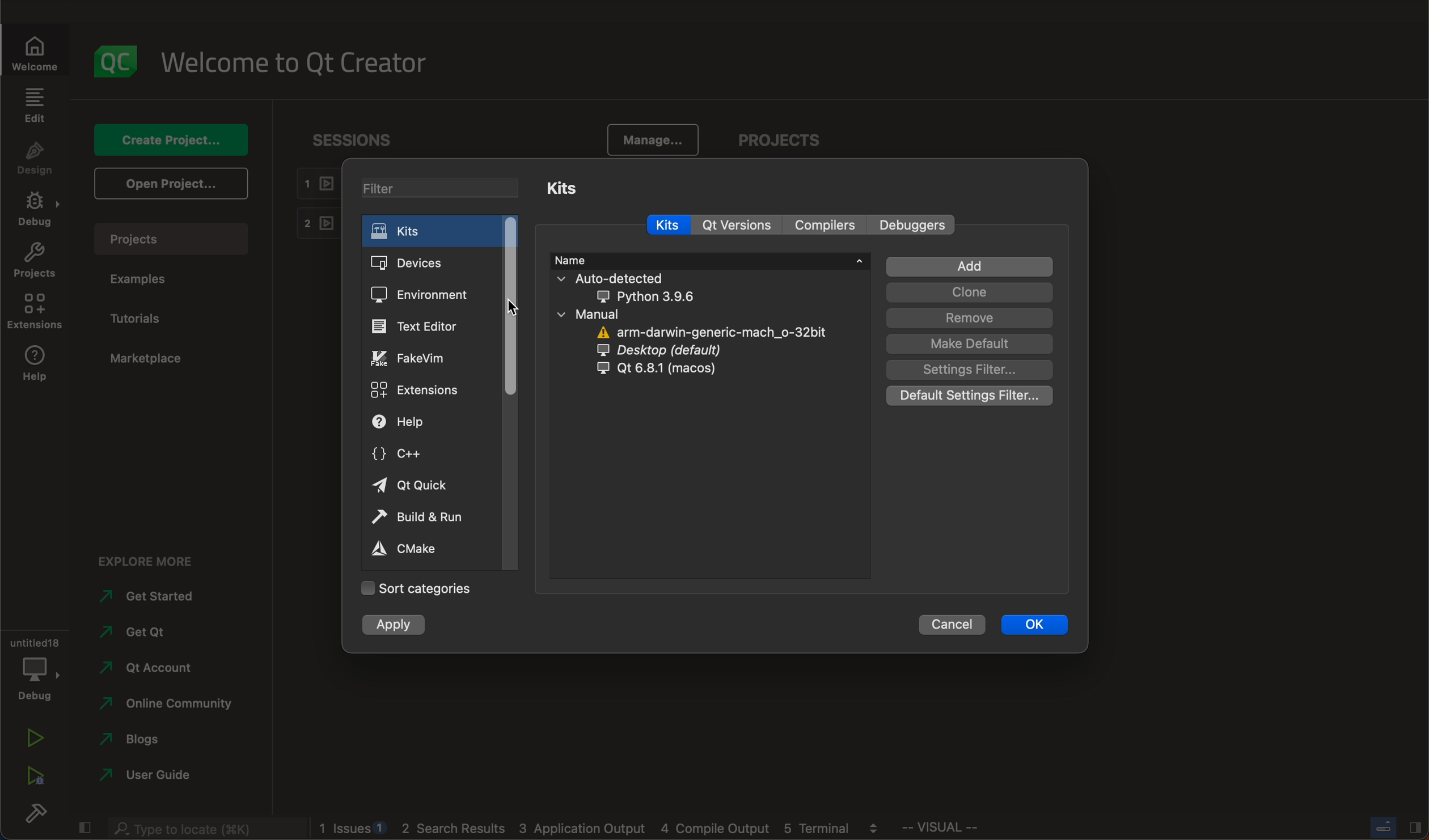 Image resolution: width=1429 pixels, height=840 pixels. Describe the element at coordinates (30, 740) in the screenshot. I see `run` at that location.